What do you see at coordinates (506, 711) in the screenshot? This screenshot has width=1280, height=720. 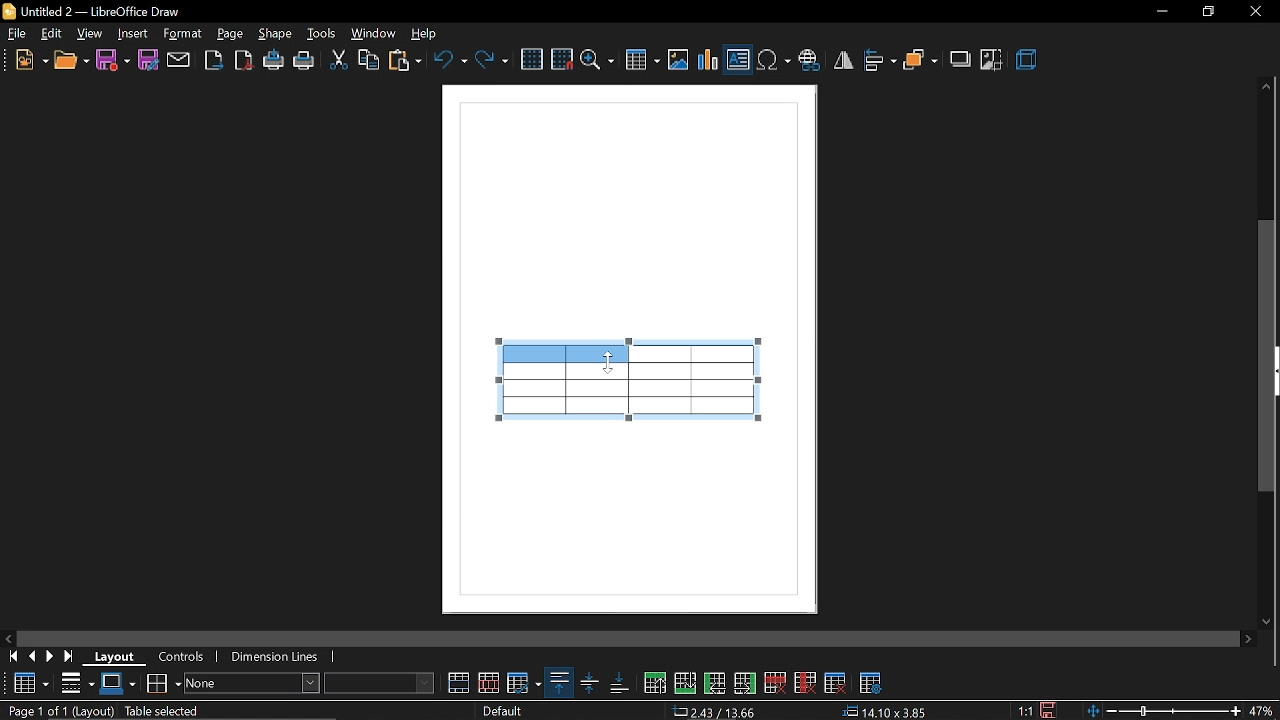 I see `Default` at bounding box center [506, 711].